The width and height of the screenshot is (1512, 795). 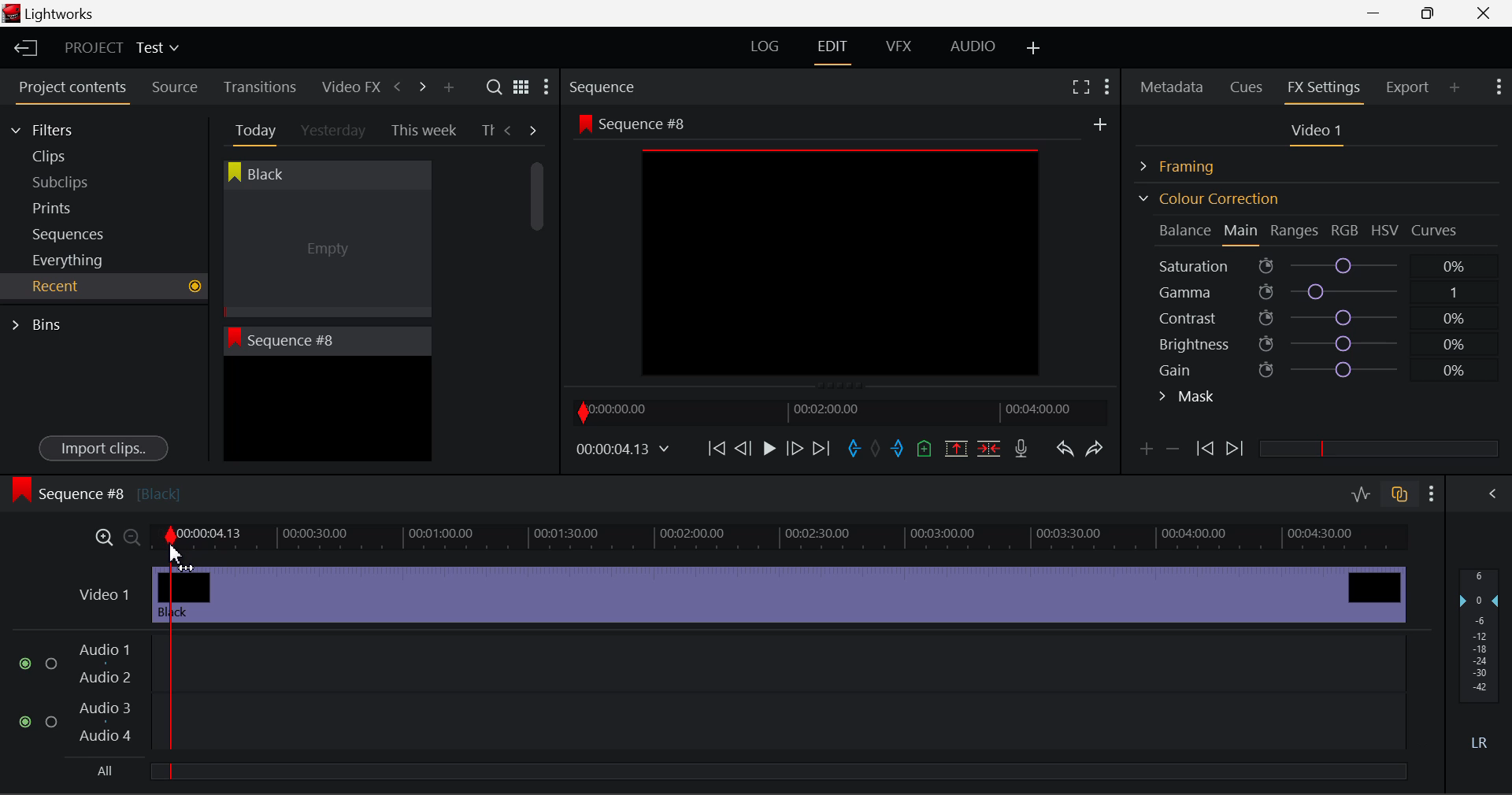 What do you see at coordinates (624, 450) in the screenshot?
I see `Frame Time` at bounding box center [624, 450].